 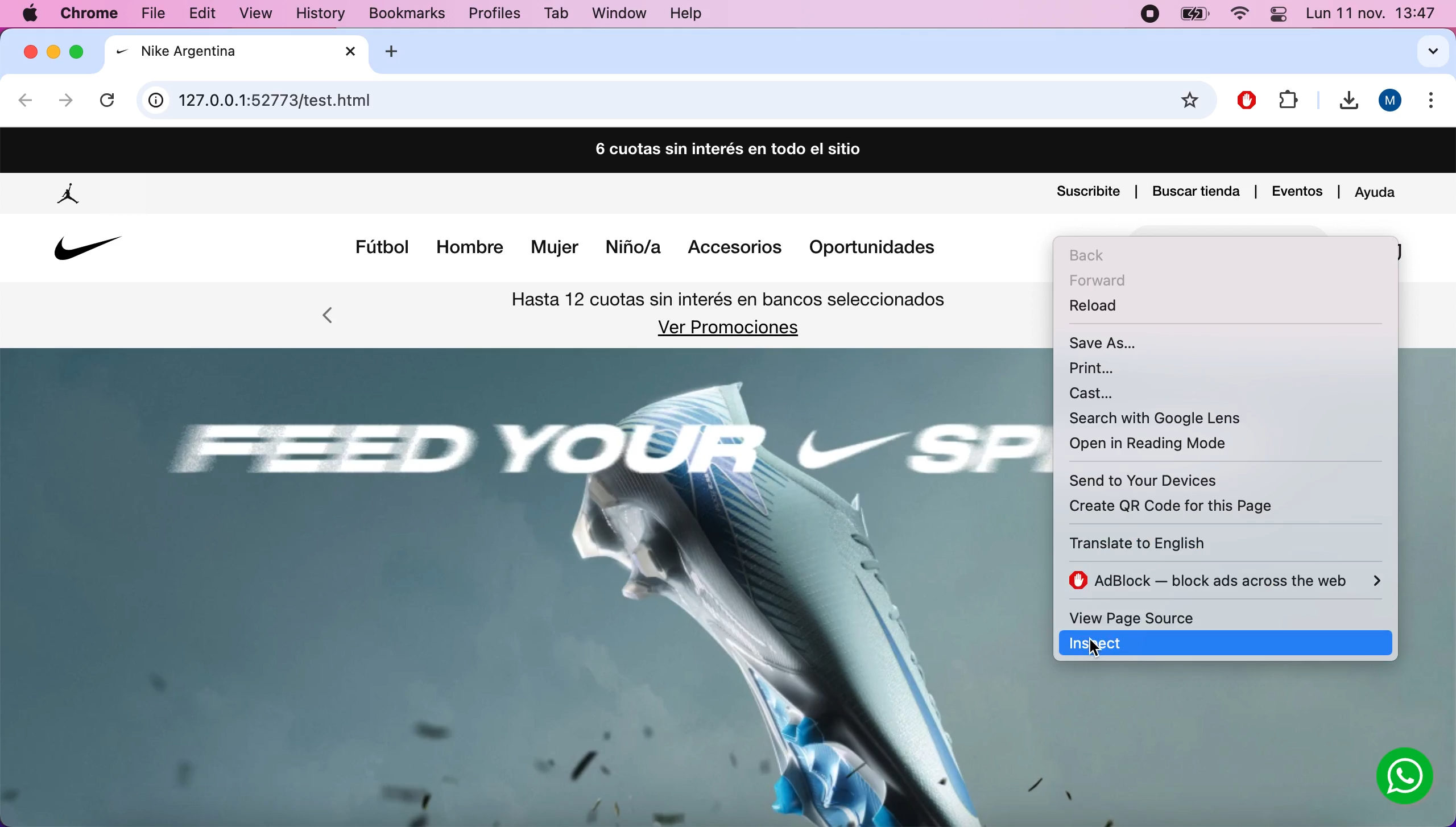 I want to click on ad blocker, so click(x=1226, y=581).